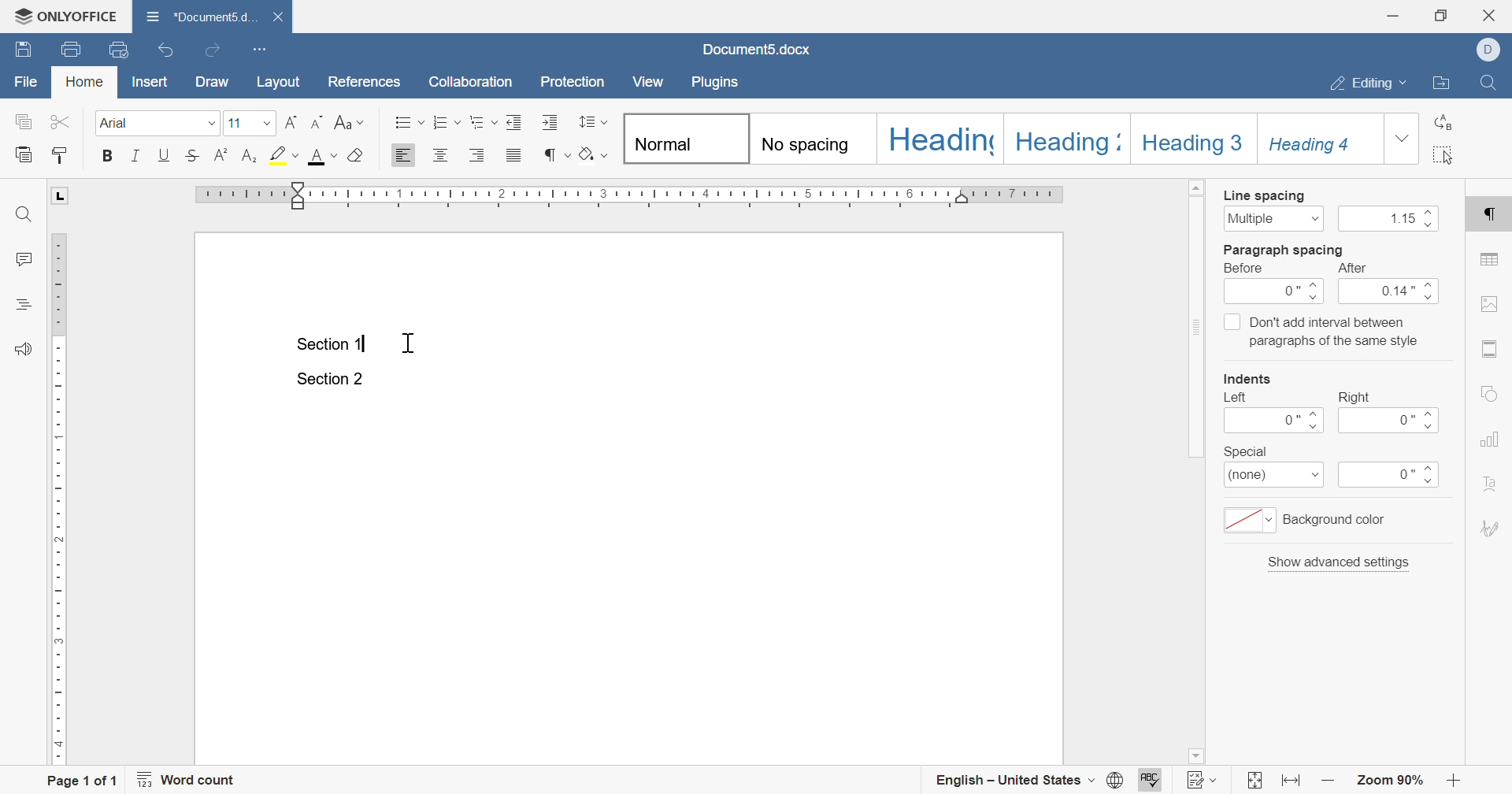  Describe the element at coordinates (1487, 82) in the screenshot. I see `Find` at that location.